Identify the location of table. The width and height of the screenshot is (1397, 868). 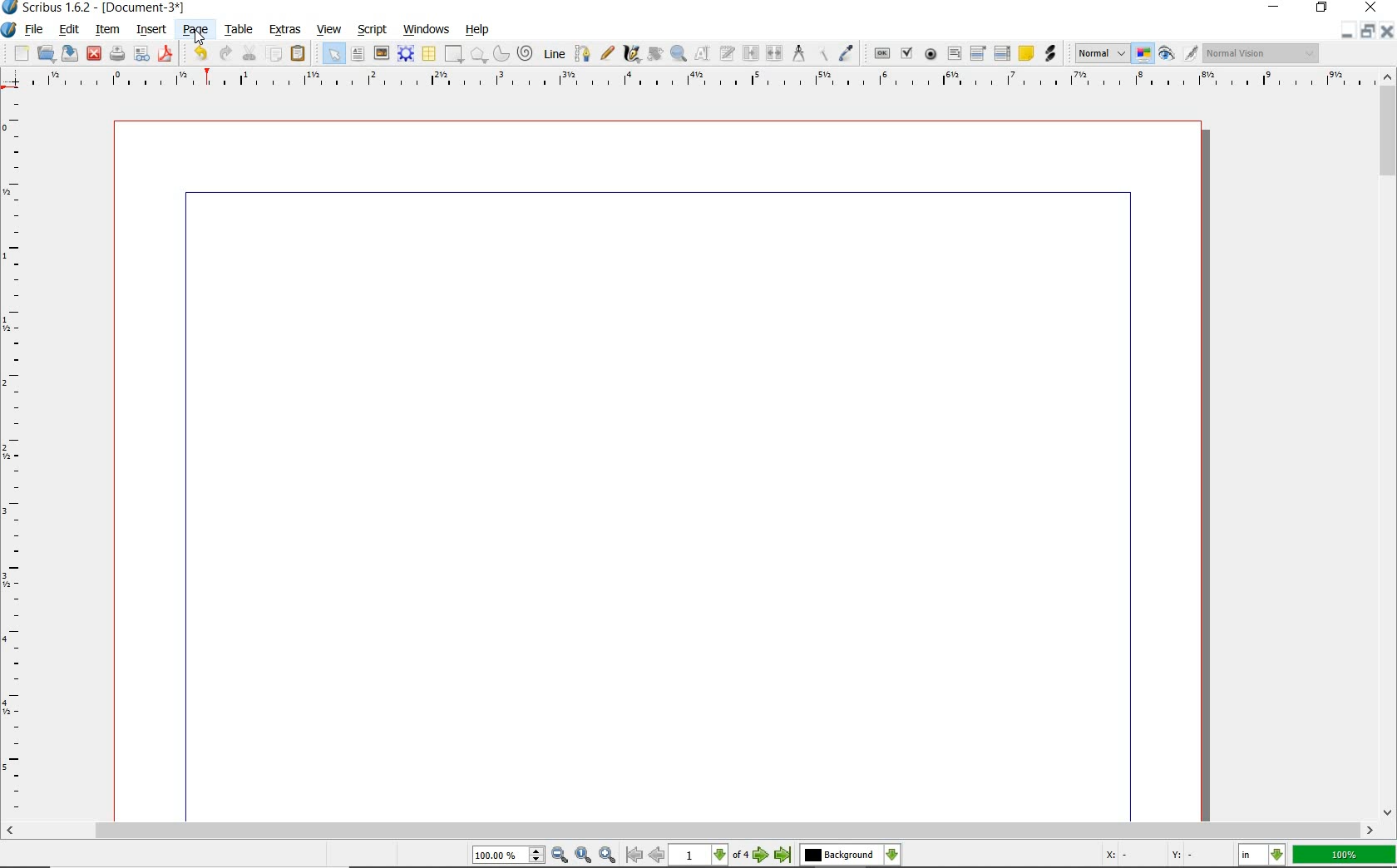
(428, 53).